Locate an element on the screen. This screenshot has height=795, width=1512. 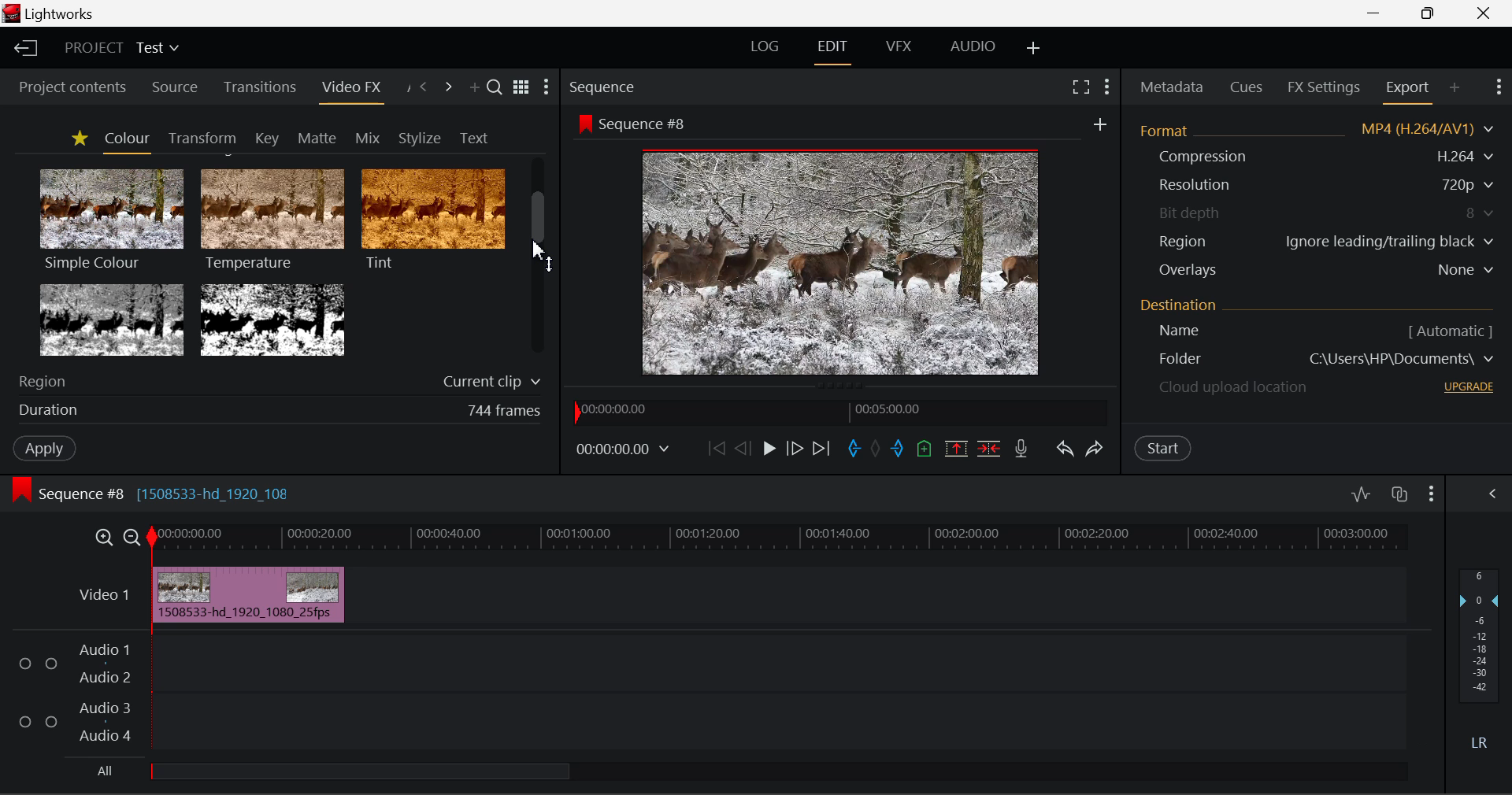
Add Panel is located at coordinates (472, 87).